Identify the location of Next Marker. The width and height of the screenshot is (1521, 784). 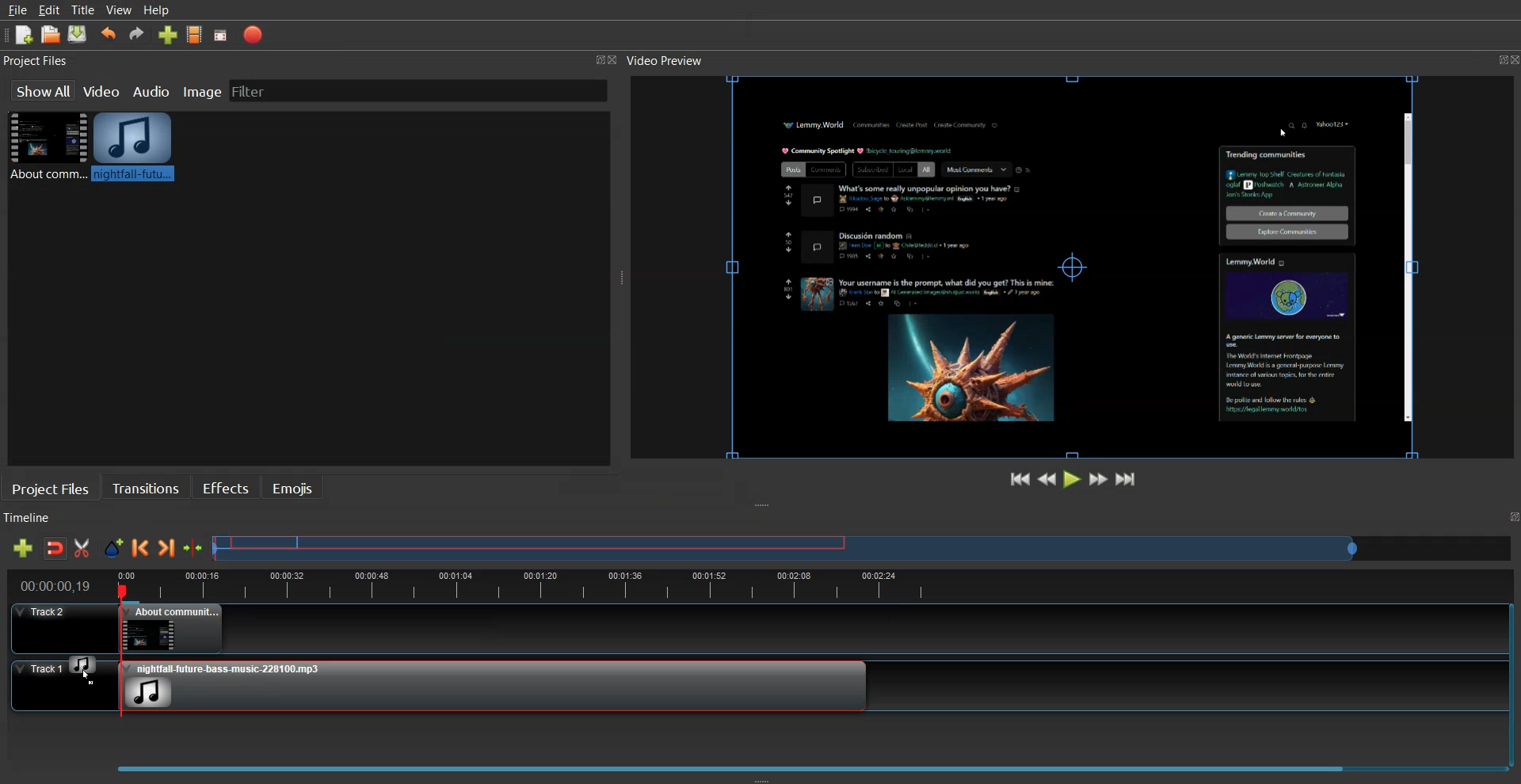
(167, 547).